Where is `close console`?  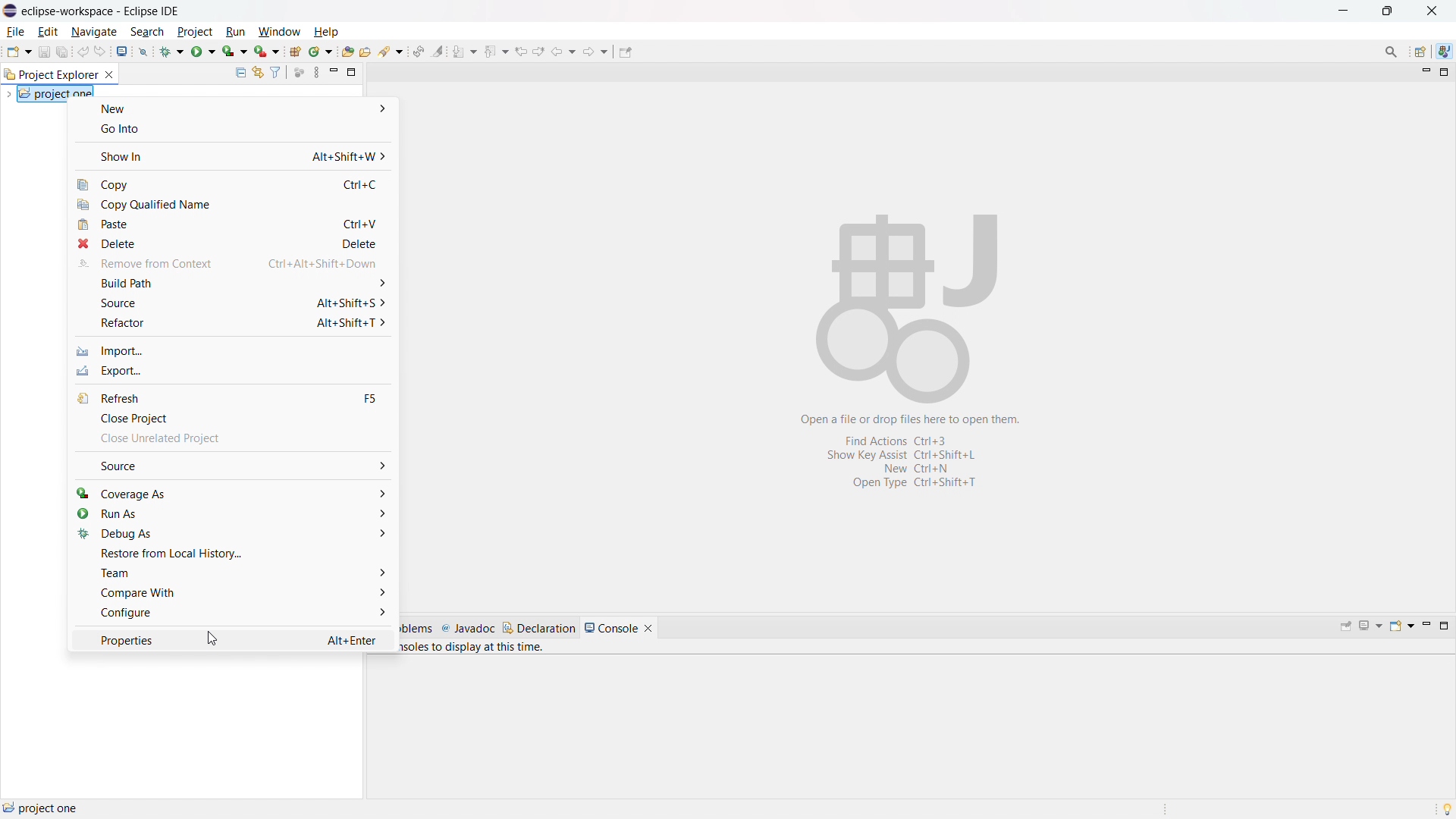
close console is located at coordinates (648, 629).